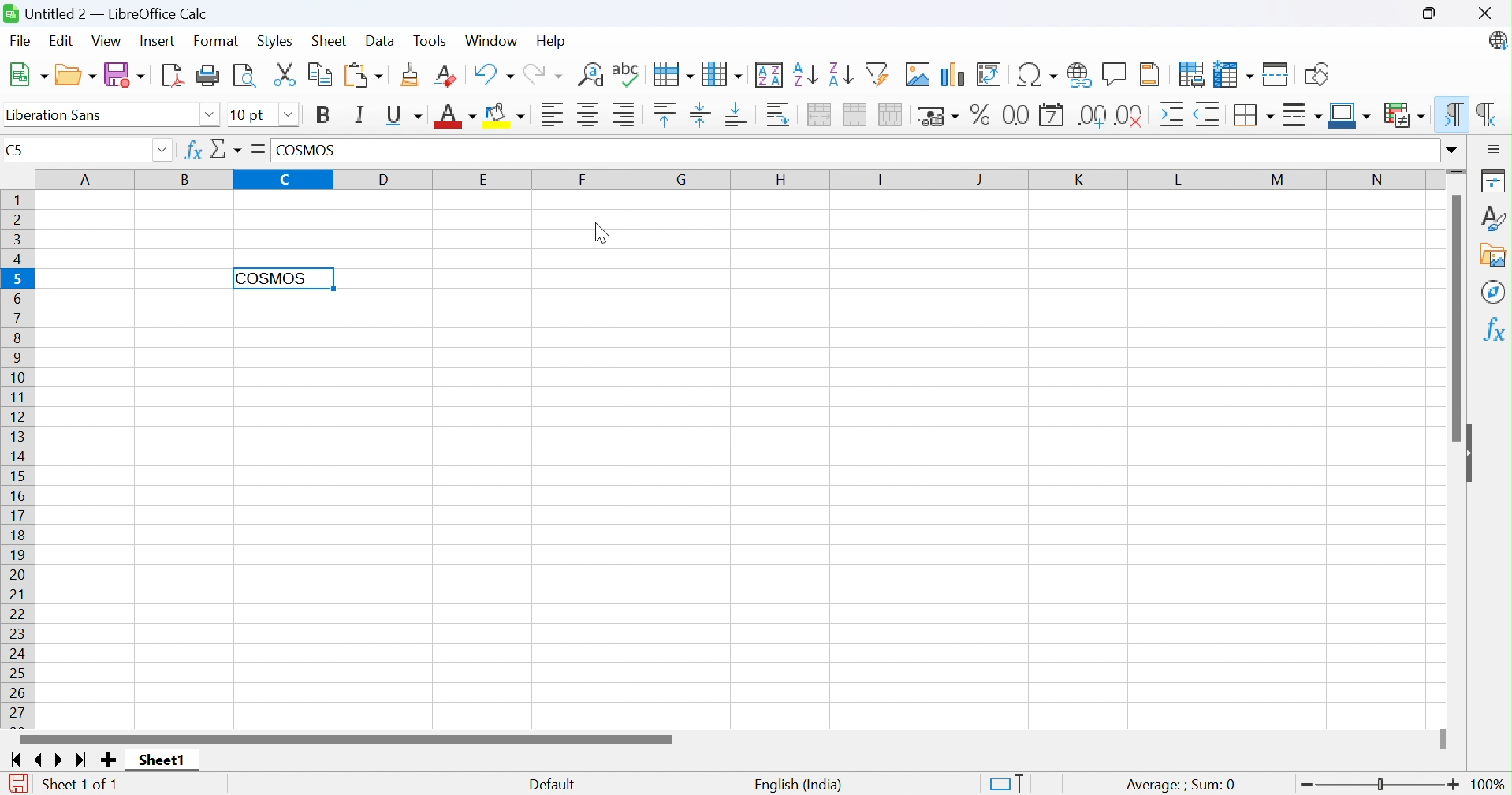 This screenshot has height=795, width=1512. I want to click on Italic, so click(360, 116).